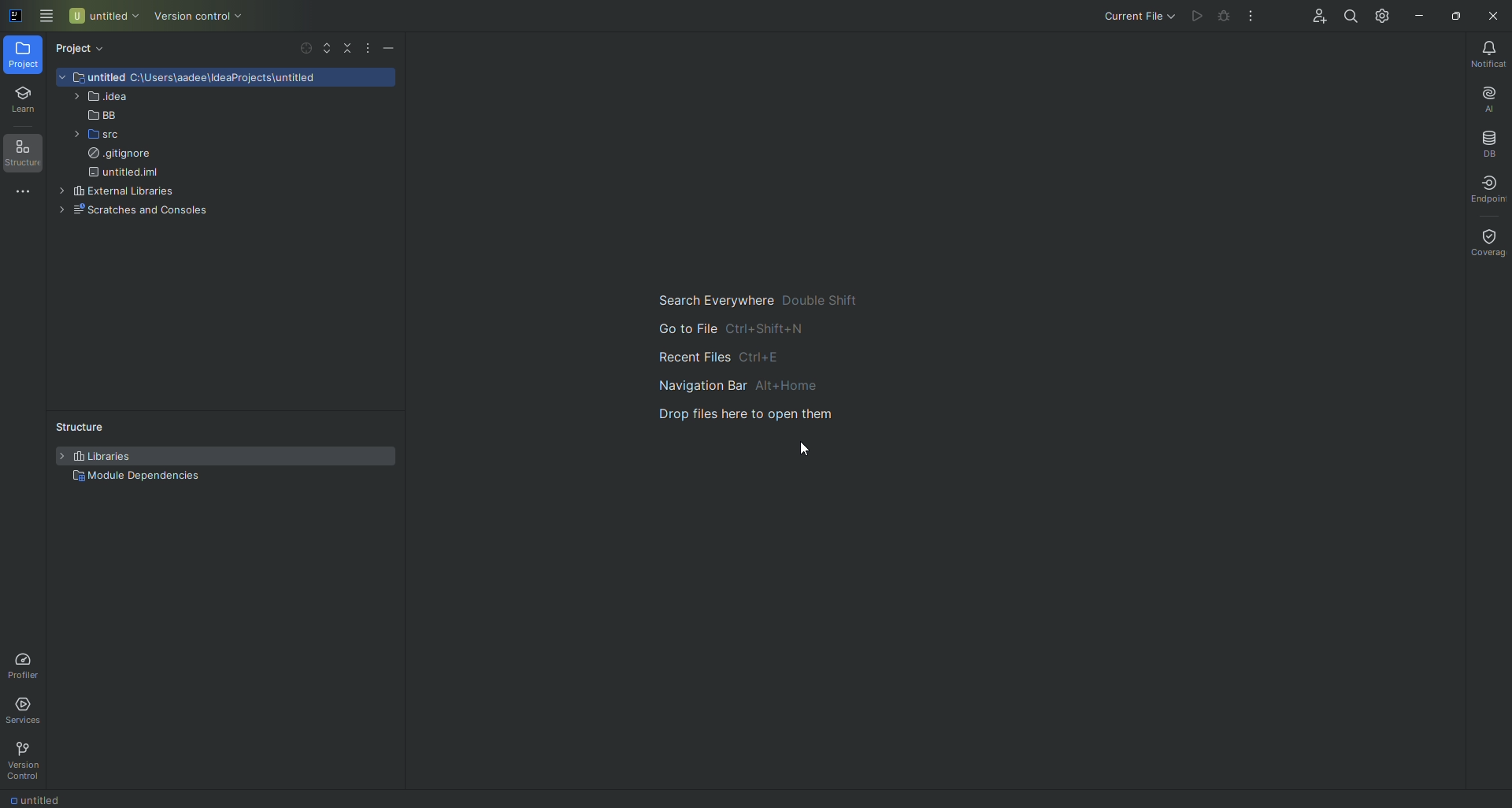 The image size is (1512, 808). What do you see at coordinates (93, 116) in the screenshot?
I see `BB` at bounding box center [93, 116].